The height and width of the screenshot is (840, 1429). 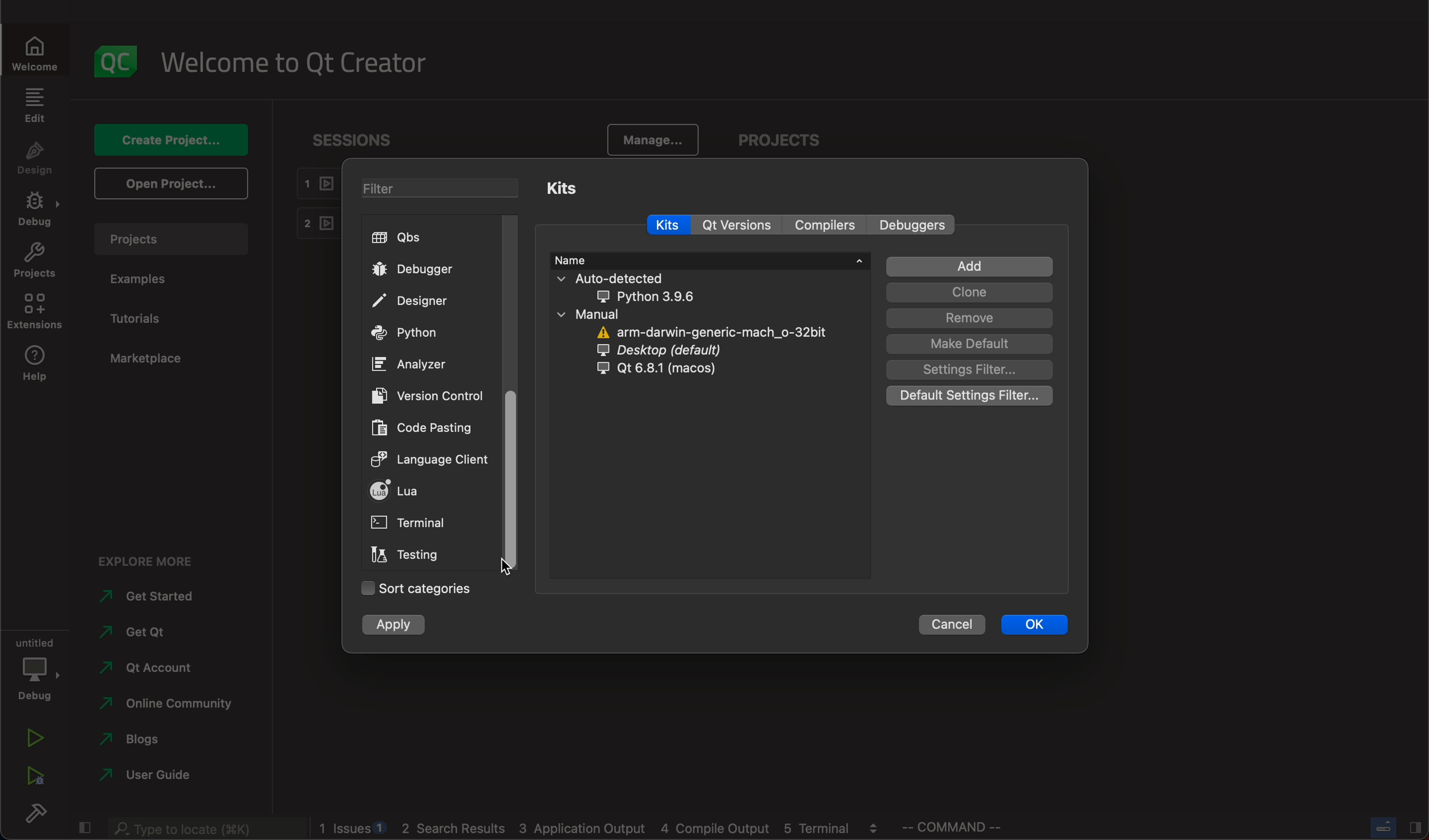 What do you see at coordinates (585, 189) in the screenshot?
I see `kits` at bounding box center [585, 189].